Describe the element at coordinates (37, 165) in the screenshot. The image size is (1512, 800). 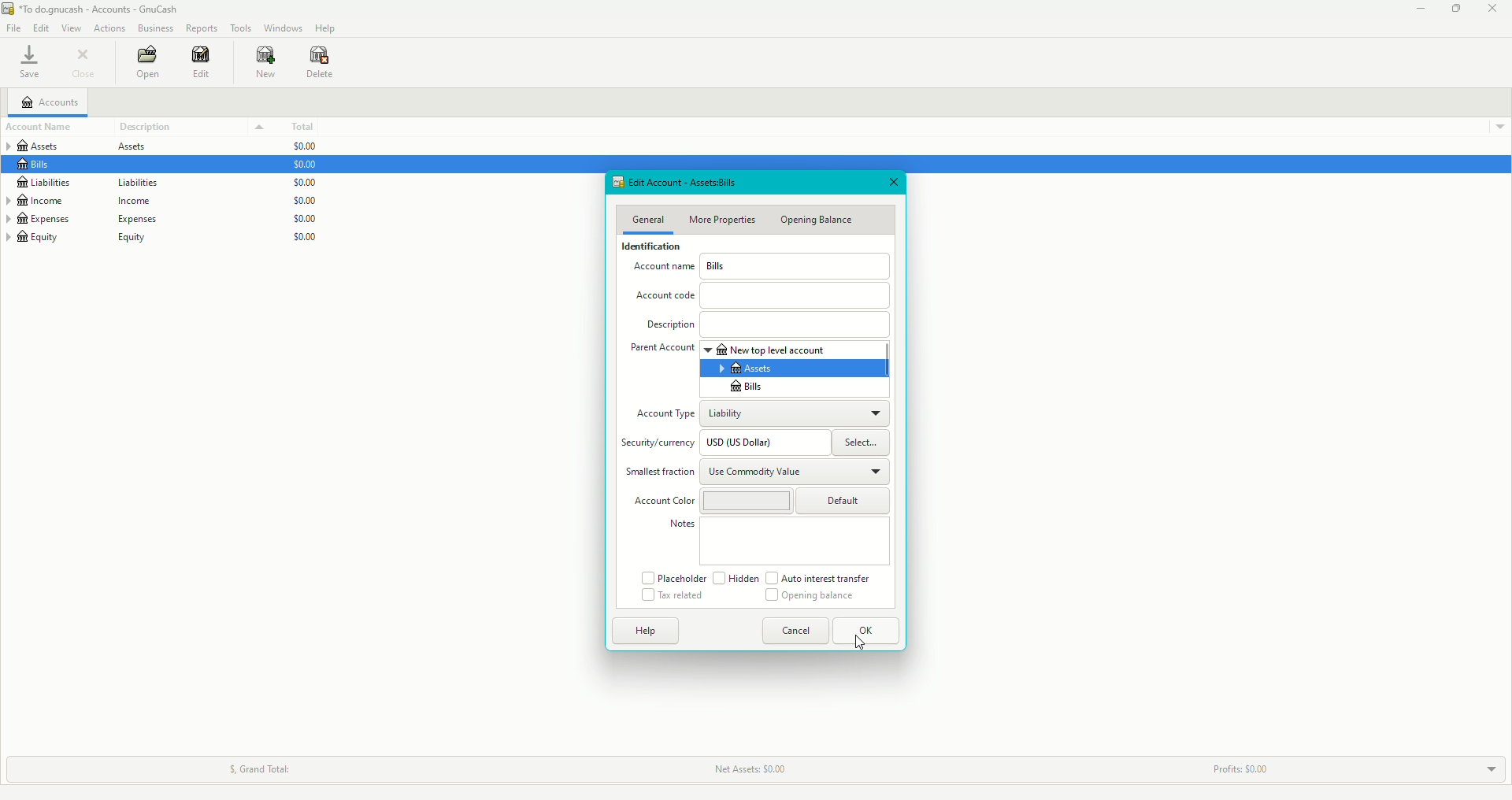
I see `Bills` at that location.